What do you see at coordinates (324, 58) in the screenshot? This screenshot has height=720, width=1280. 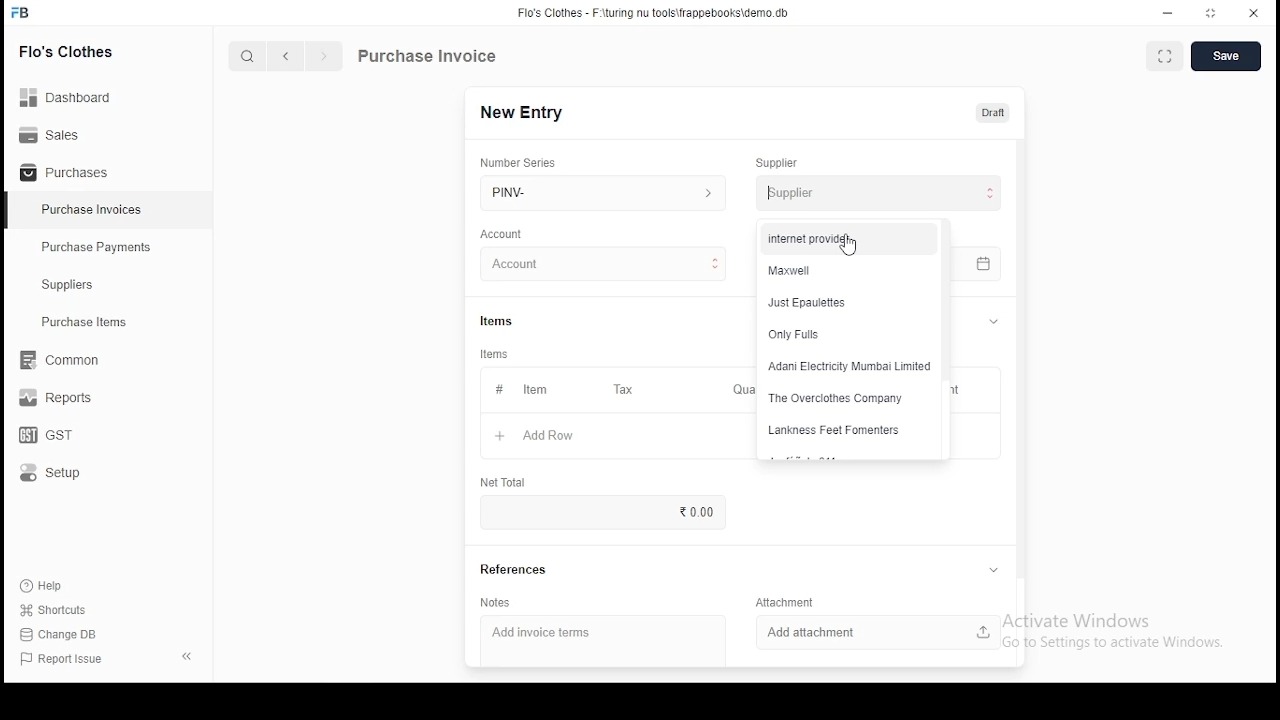 I see `next` at bounding box center [324, 58].